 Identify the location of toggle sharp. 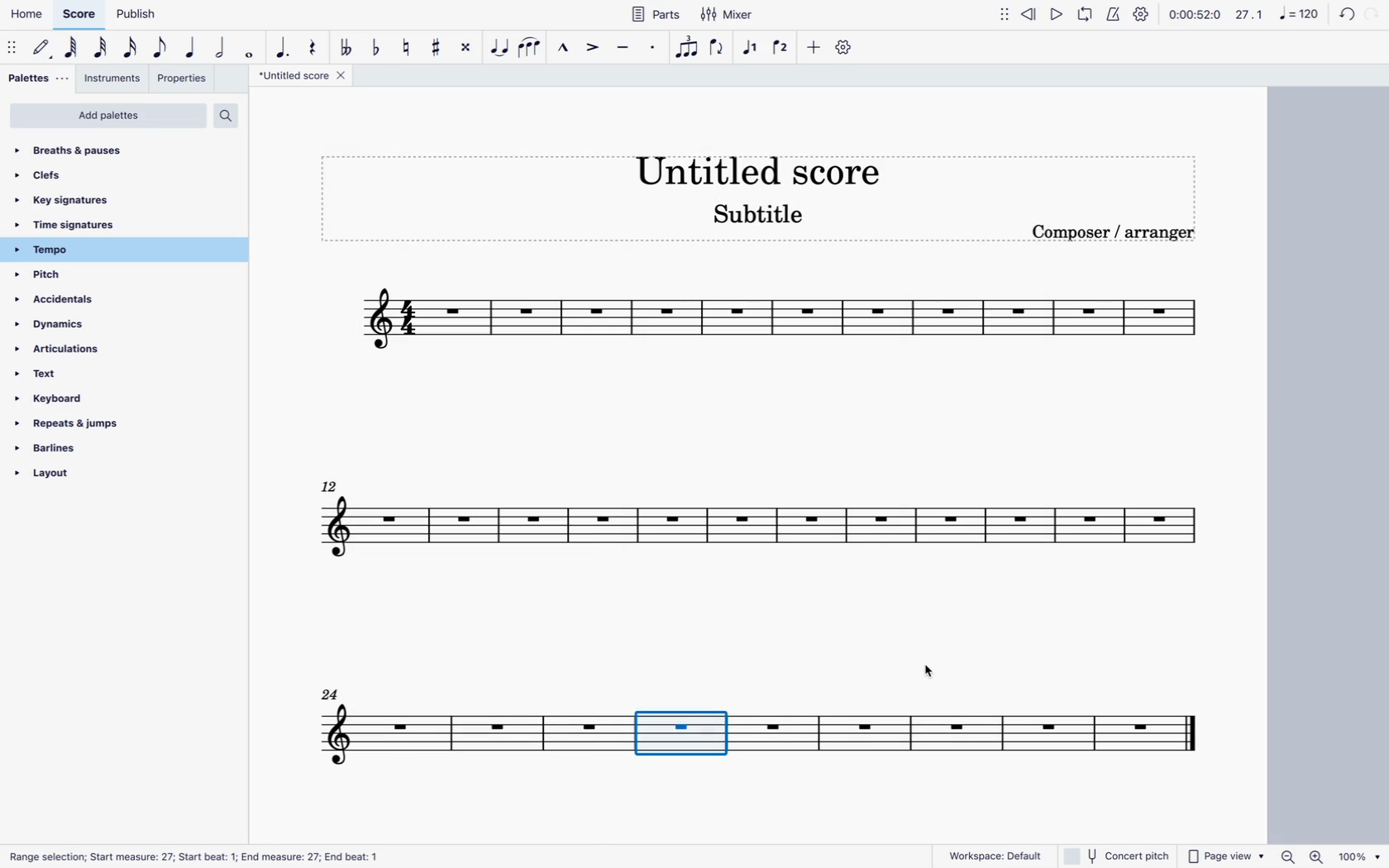
(436, 50).